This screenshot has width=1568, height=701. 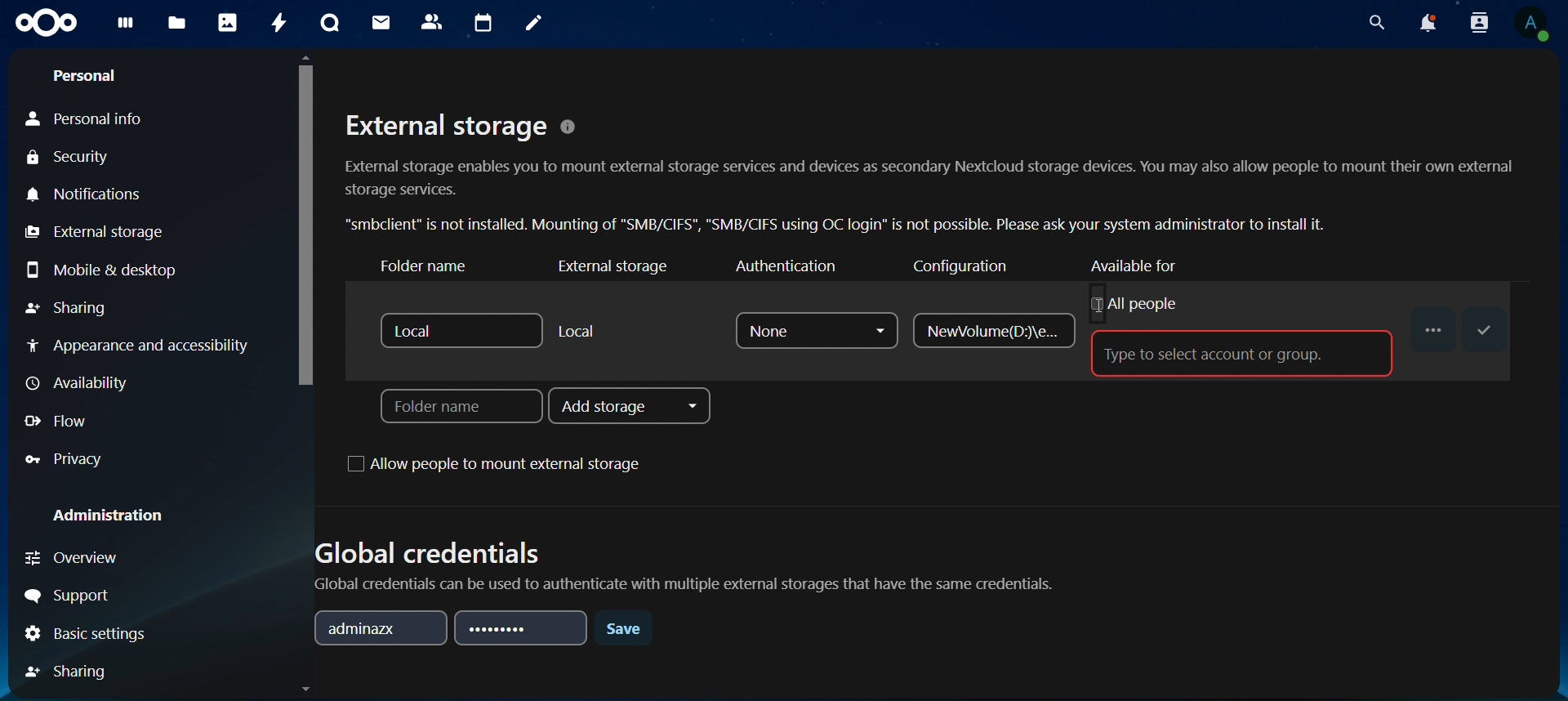 What do you see at coordinates (1134, 303) in the screenshot?
I see `all people` at bounding box center [1134, 303].